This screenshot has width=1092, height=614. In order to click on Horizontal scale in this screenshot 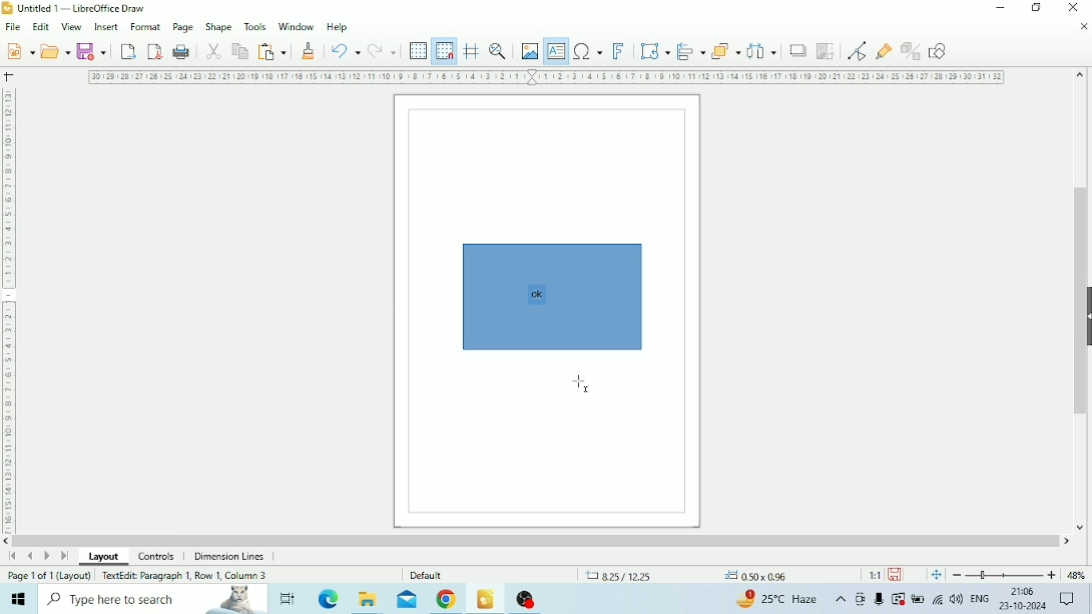, I will do `click(548, 78)`.